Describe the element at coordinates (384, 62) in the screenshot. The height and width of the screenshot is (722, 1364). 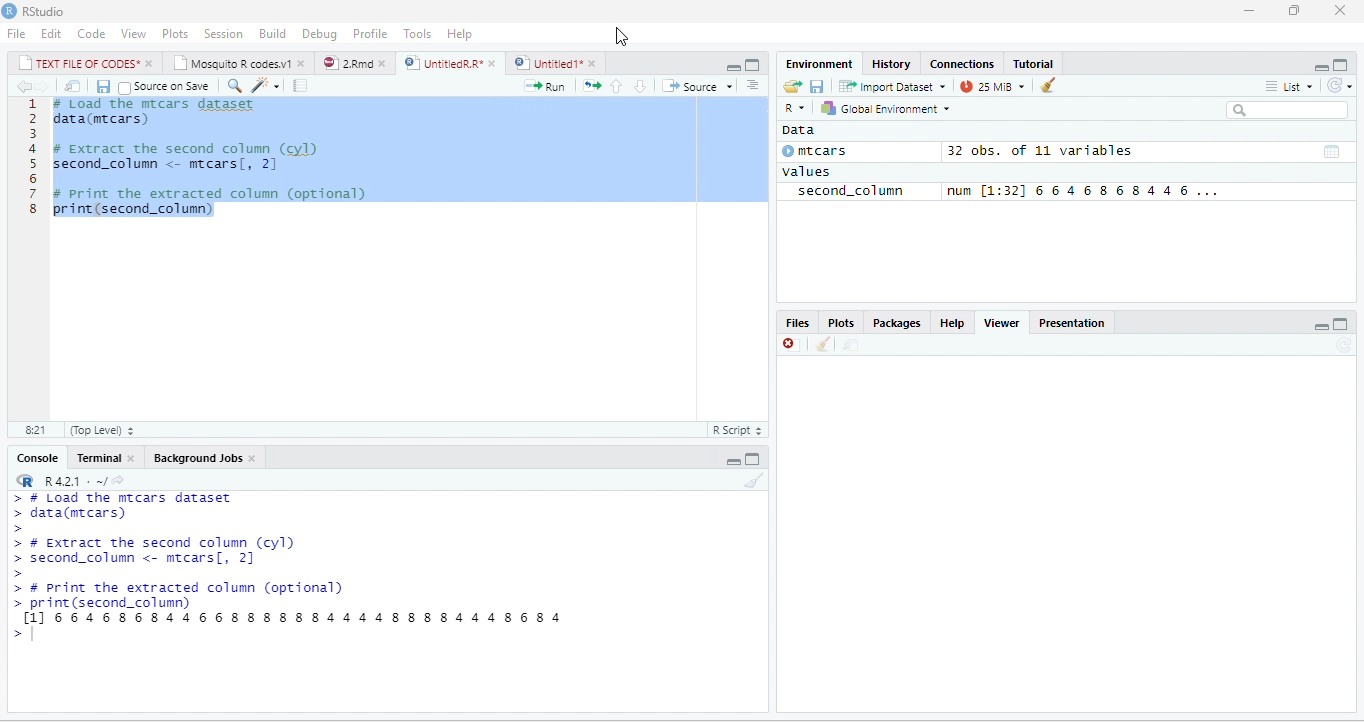
I see `close` at that location.